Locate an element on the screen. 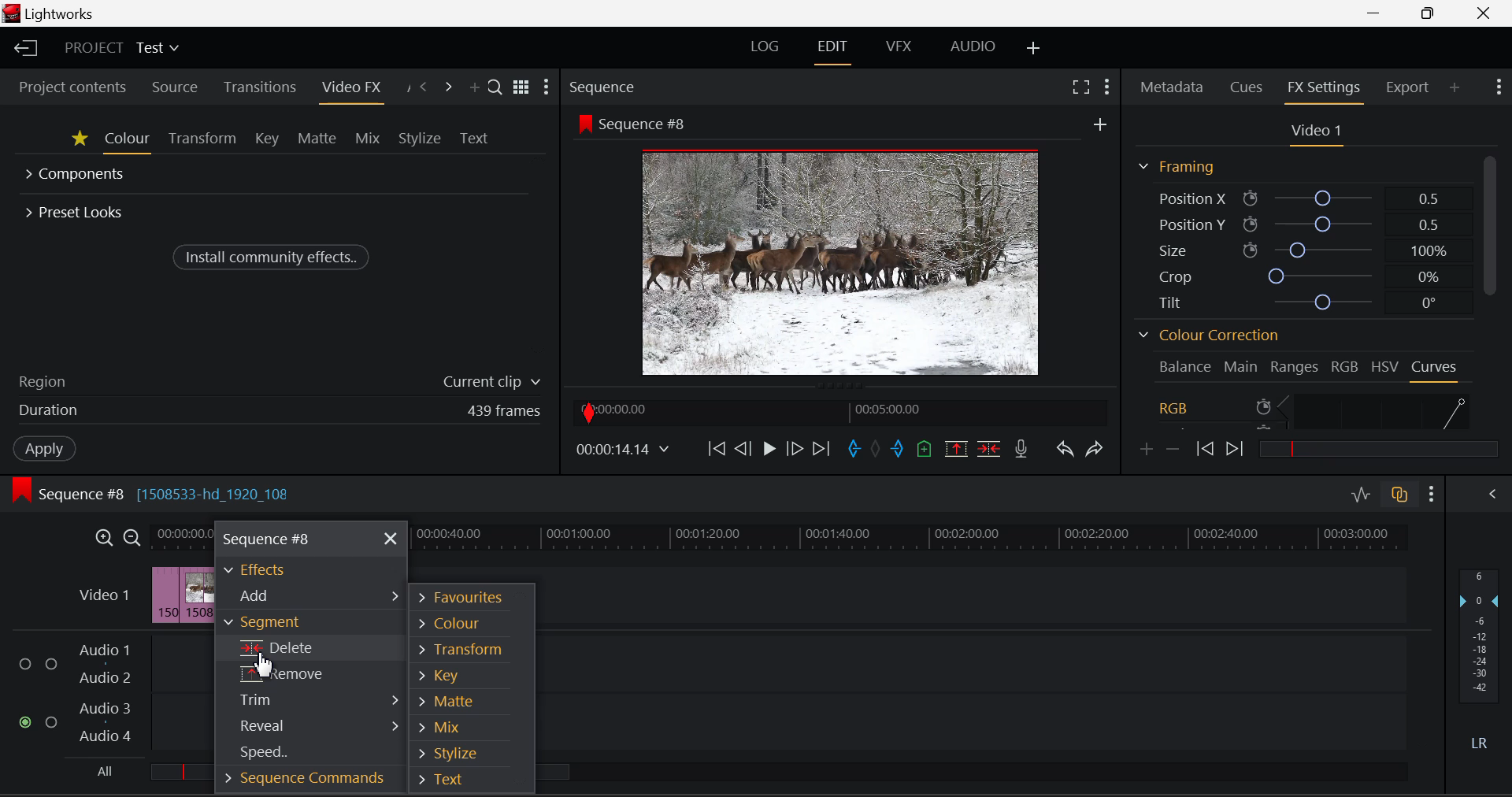 This screenshot has width=1512, height=797. Stylize is located at coordinates (450, 753).